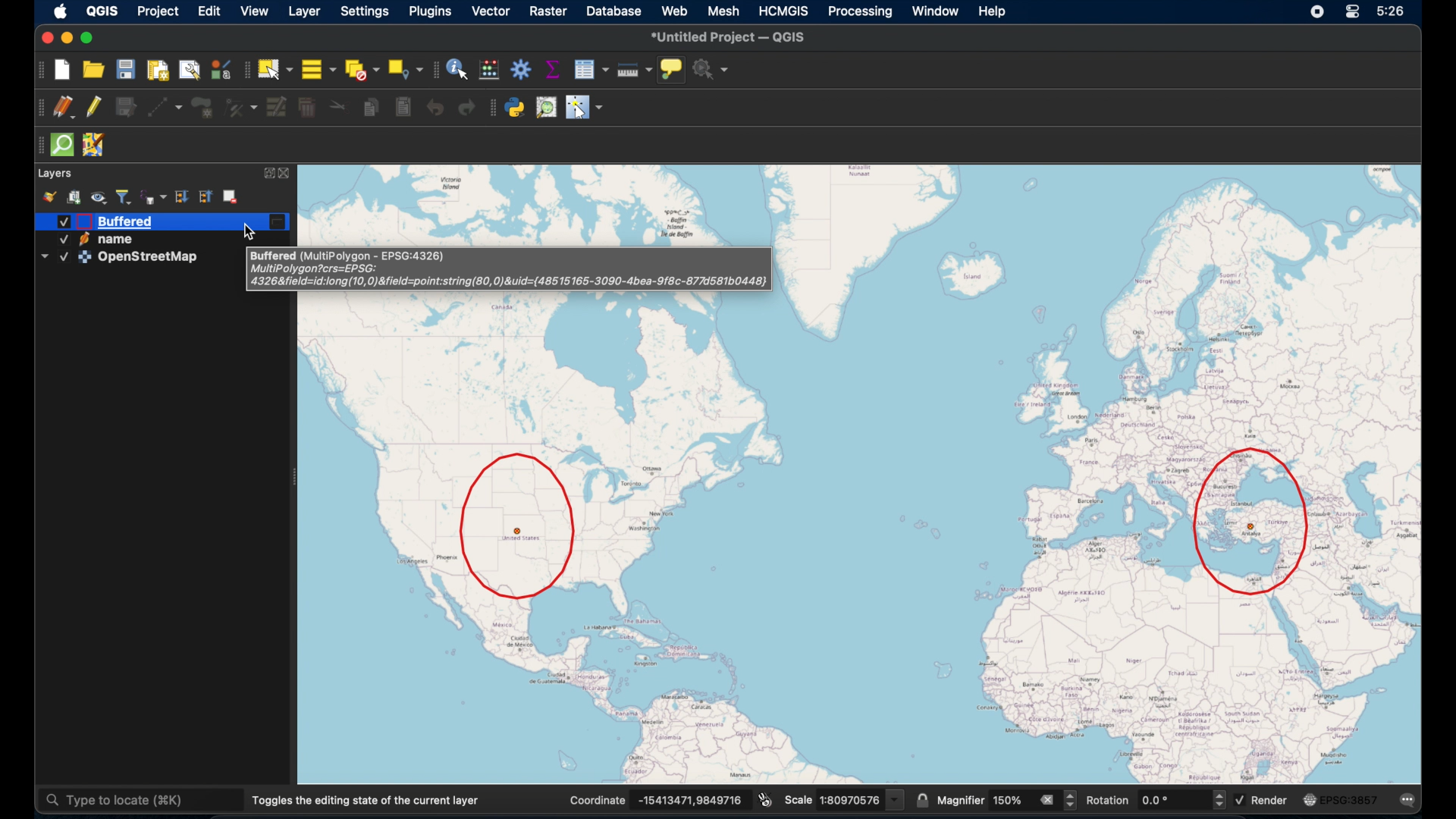 This screenshot has width=1456, height=819. Describe the element at coordinates (61, 11) in the screenshot. I see `apple icon` at that location.